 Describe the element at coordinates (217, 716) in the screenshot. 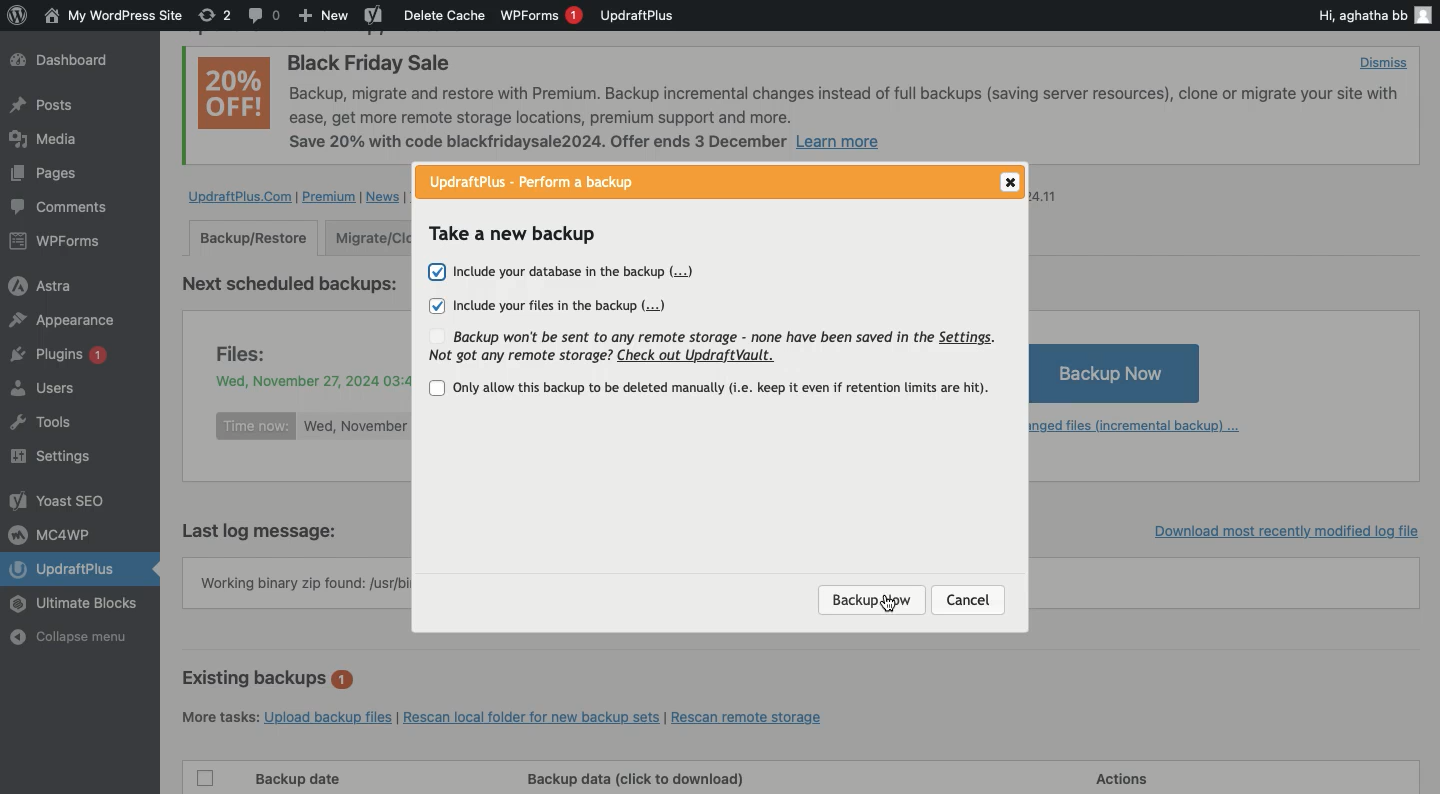

I see `More tasks:` at that location.